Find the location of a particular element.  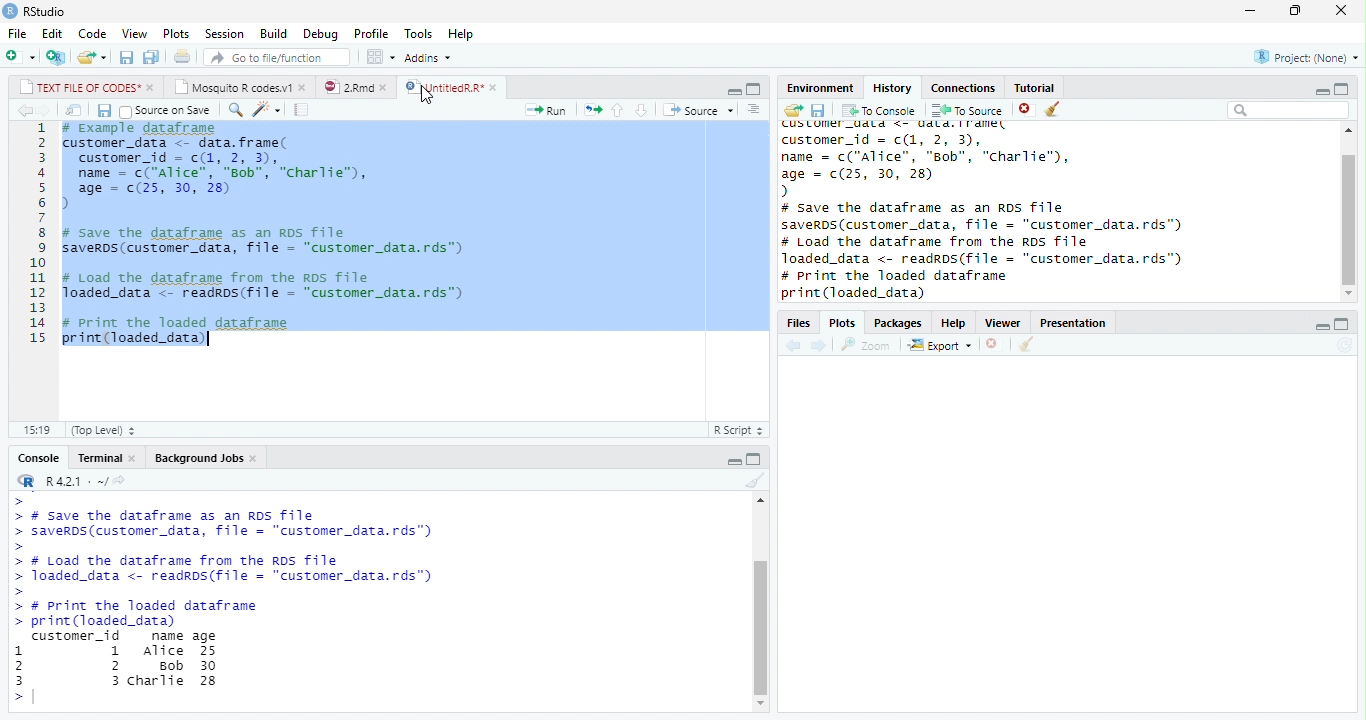

new project is located at coordinates (57, 57).